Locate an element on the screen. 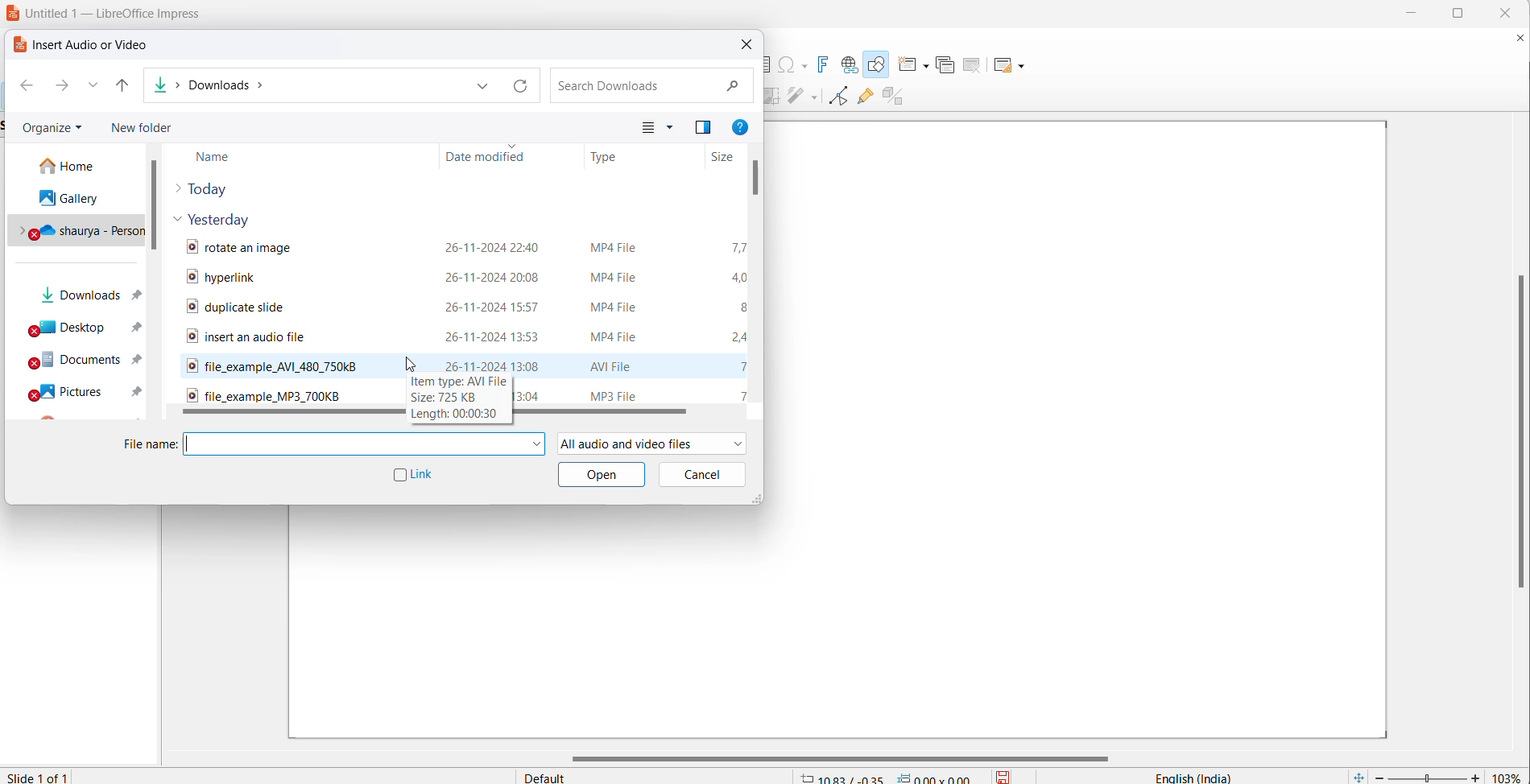  organize options is located at coordinates (87, 129).